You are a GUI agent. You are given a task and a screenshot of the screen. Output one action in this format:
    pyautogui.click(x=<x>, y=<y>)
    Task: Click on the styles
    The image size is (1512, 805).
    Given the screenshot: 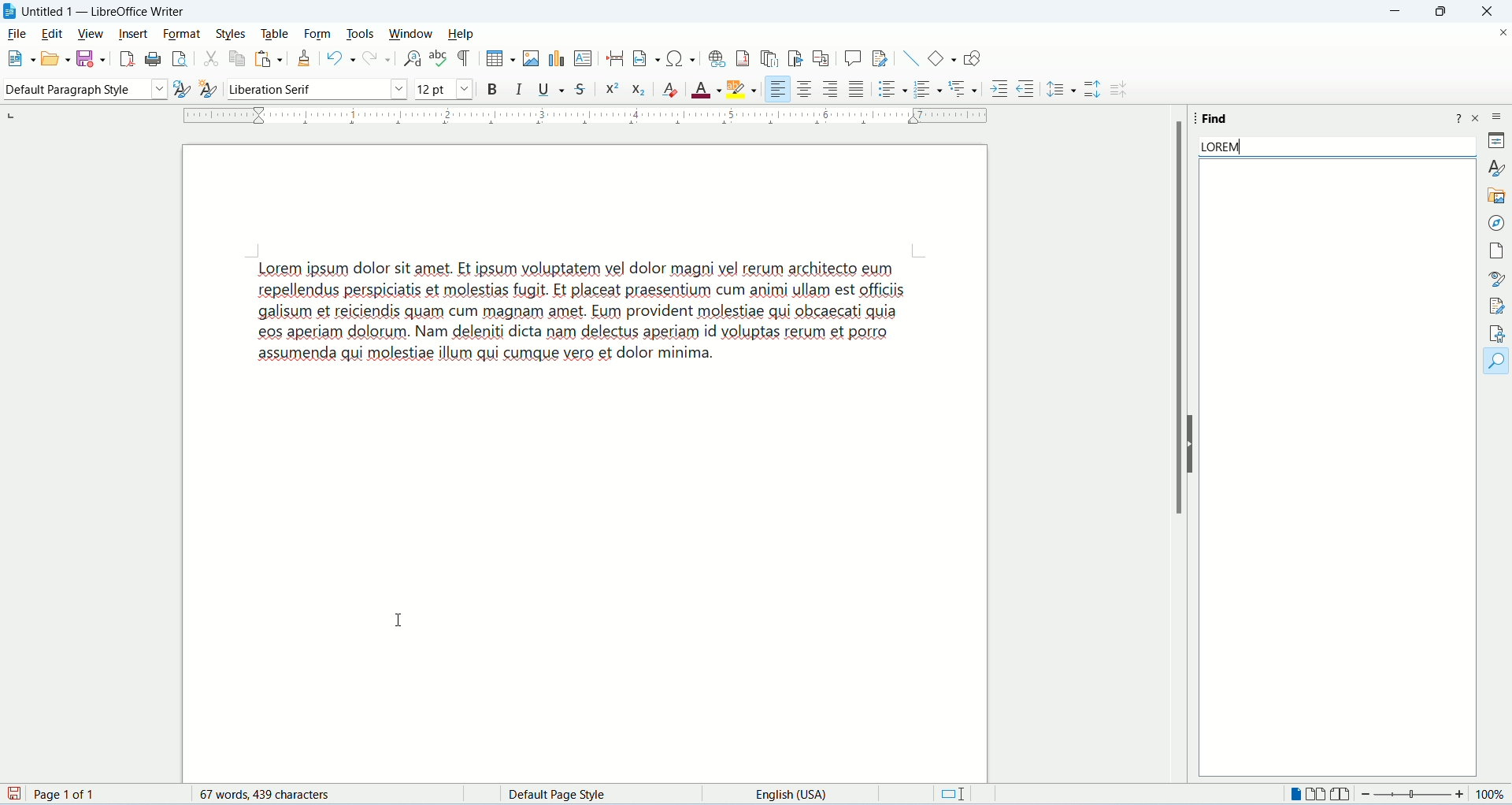 What is the action you would take?
    pyautogui.click(x=232, y=32)
    